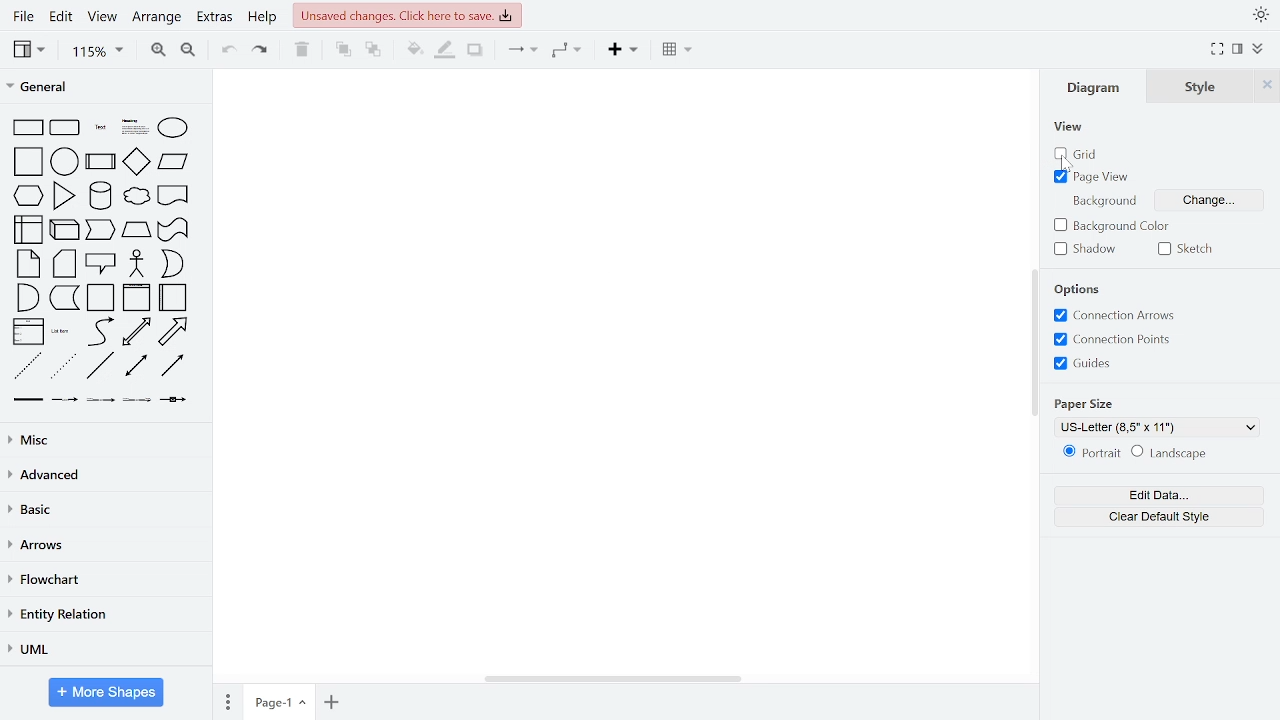 The height and width of the screenshot is (720, 1280). I want to click on waypoints, so click(566, 52).